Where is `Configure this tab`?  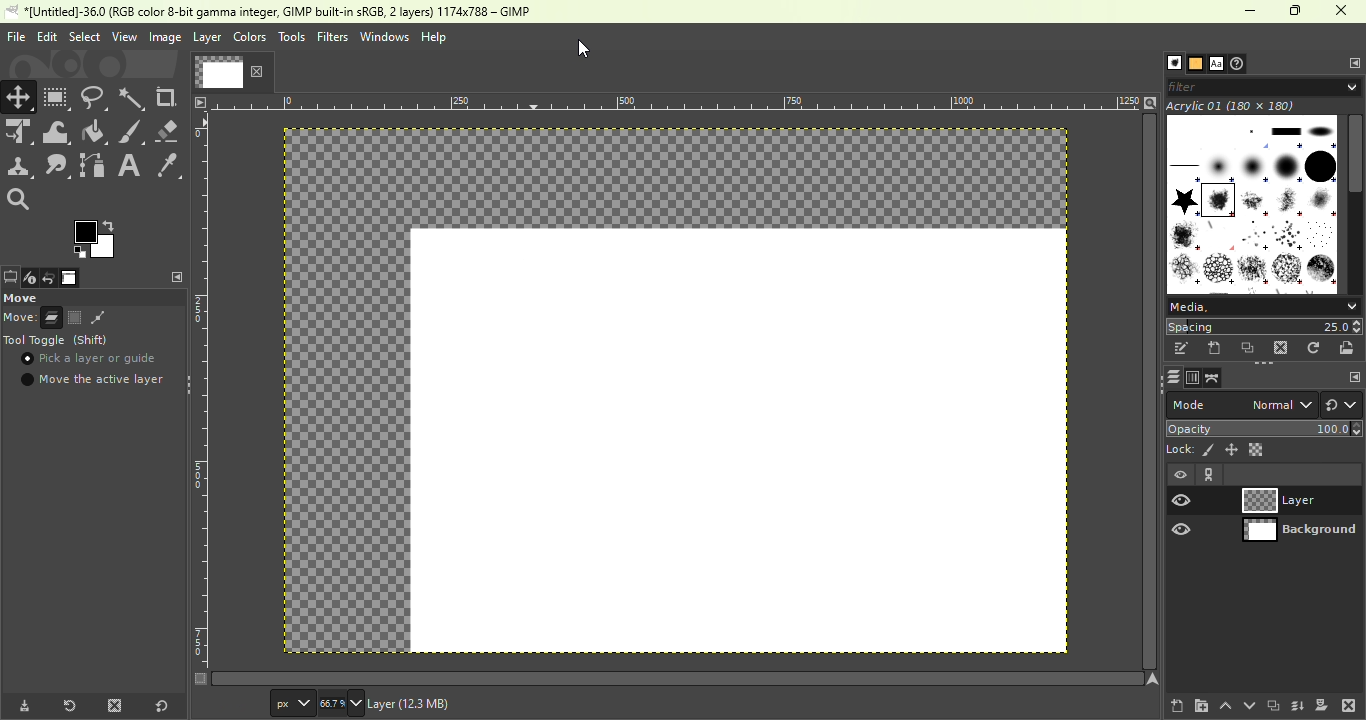 Configure this tab is located at coordinates (174, 277).